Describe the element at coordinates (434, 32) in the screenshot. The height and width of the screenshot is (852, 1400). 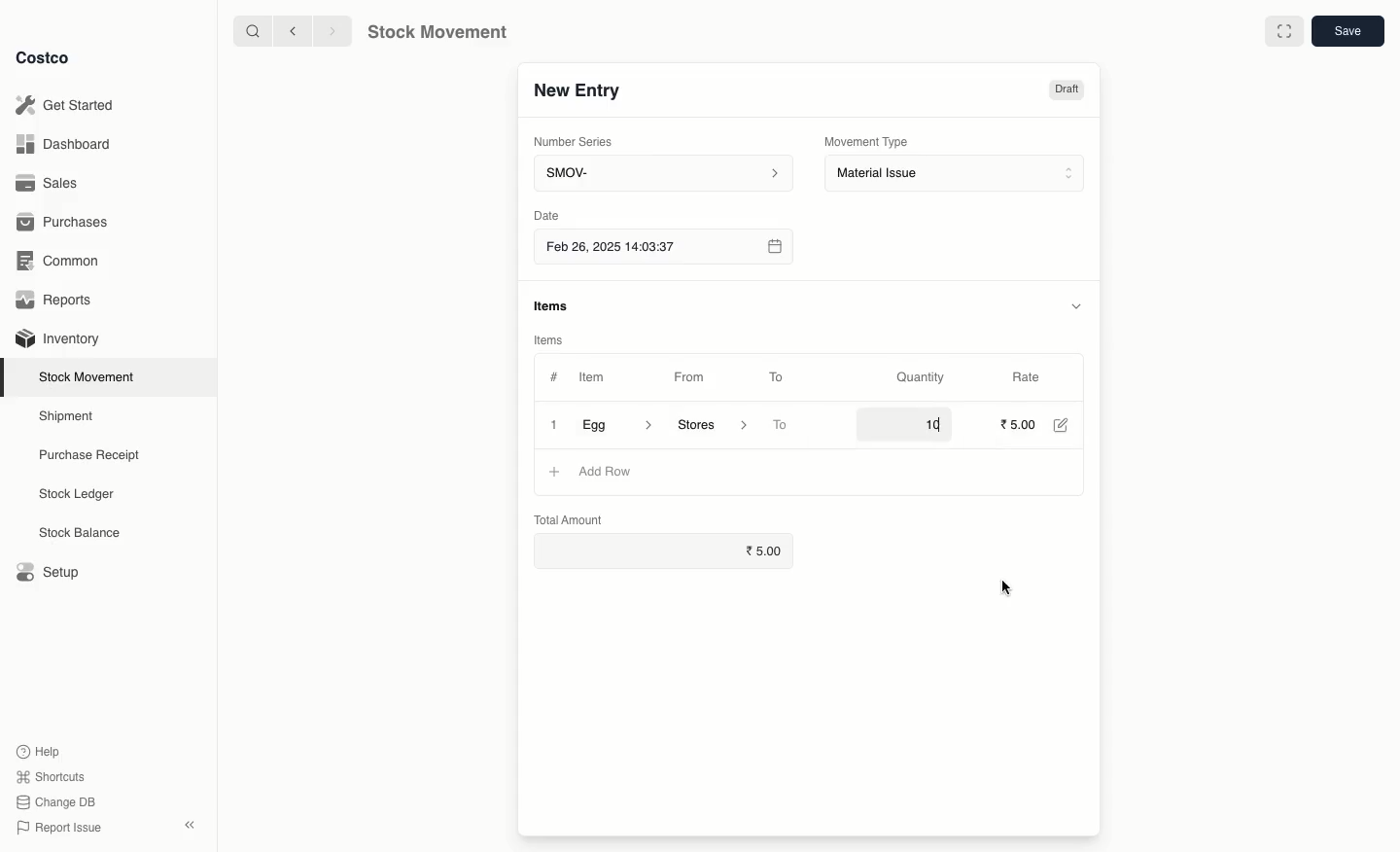
I see `Stock Movement` at that location.